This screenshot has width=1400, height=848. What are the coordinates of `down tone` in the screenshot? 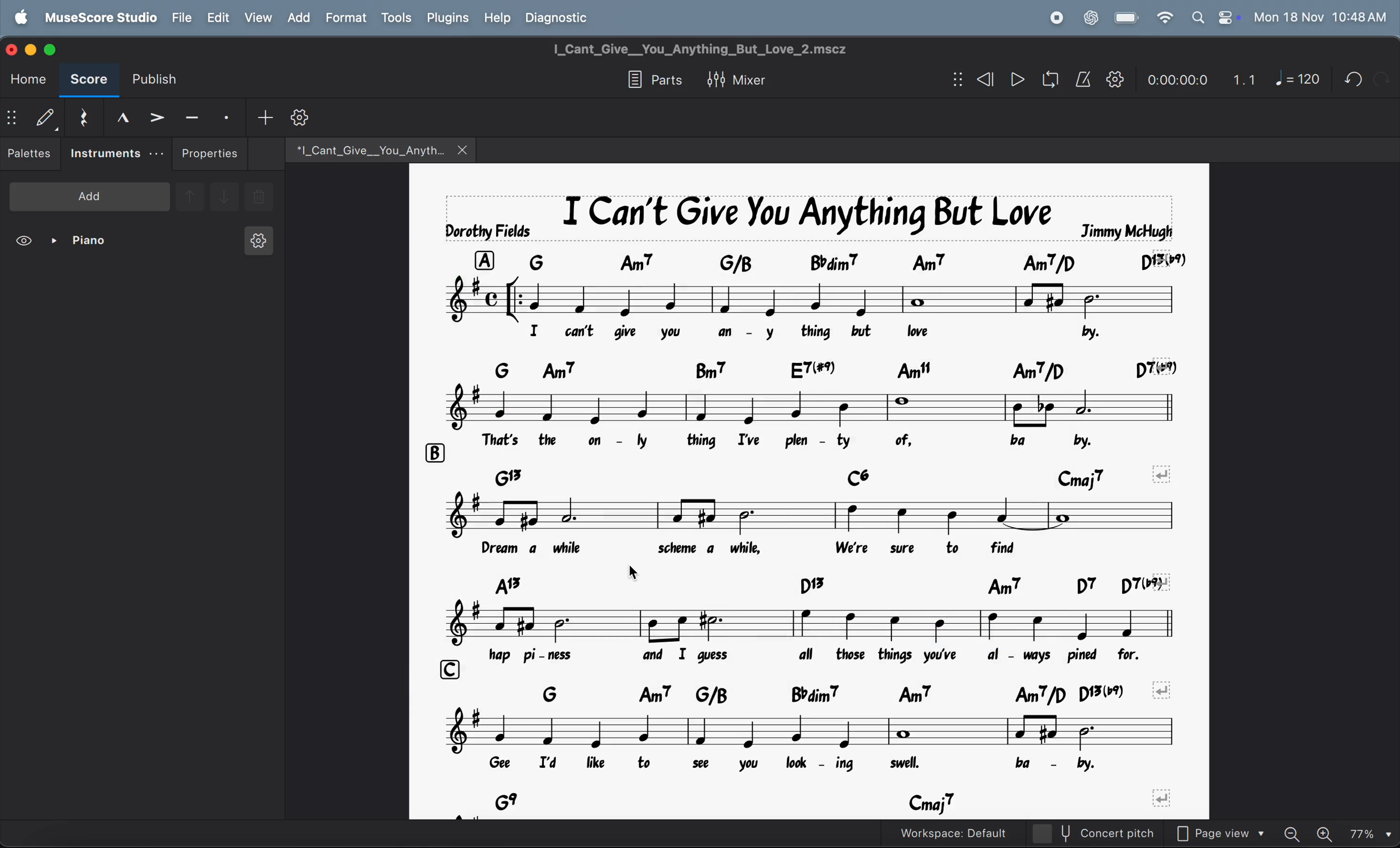 It's located at (225, 198).